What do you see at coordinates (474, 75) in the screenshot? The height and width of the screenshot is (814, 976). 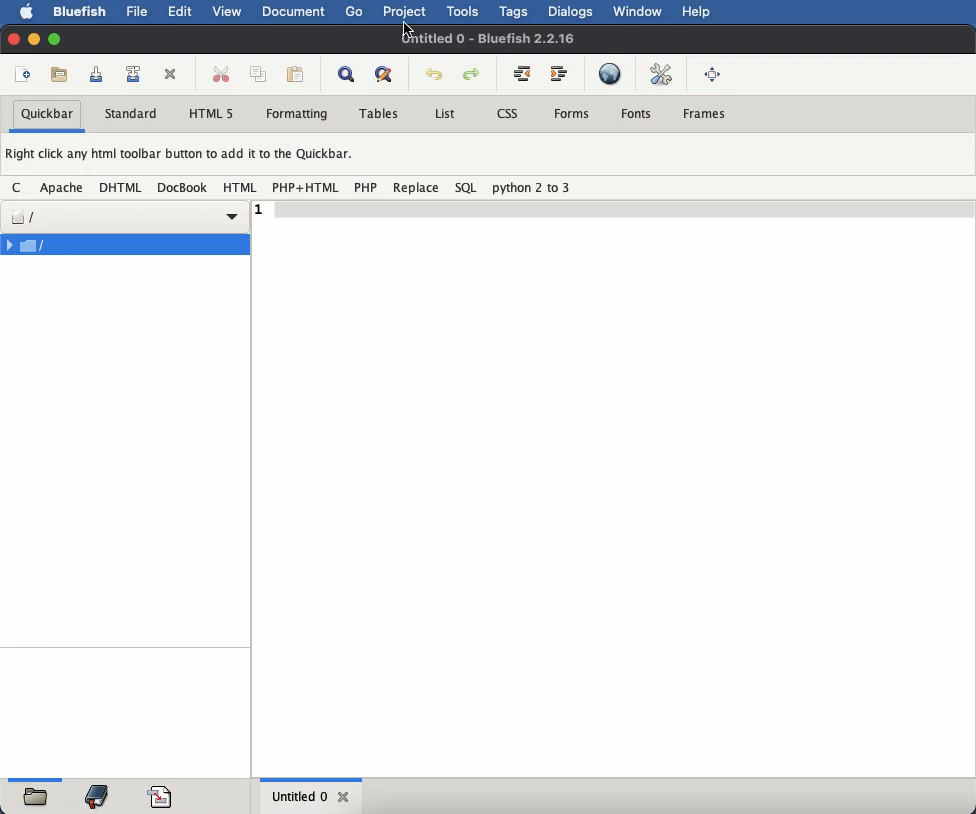 I see `redo` at bounding box center [474, 75].